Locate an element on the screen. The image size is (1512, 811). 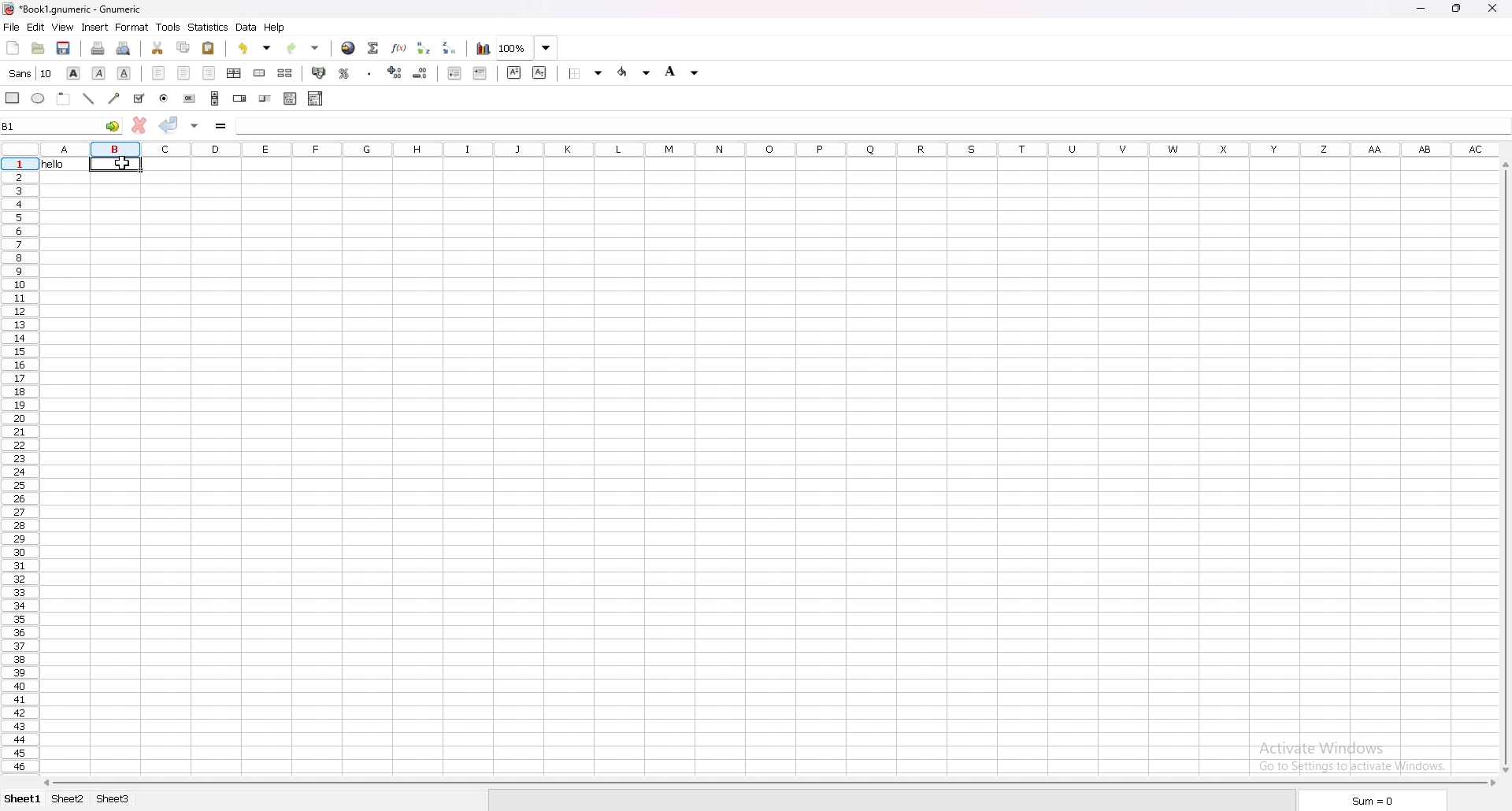
thousands separator is located at coordinates (370, 72).